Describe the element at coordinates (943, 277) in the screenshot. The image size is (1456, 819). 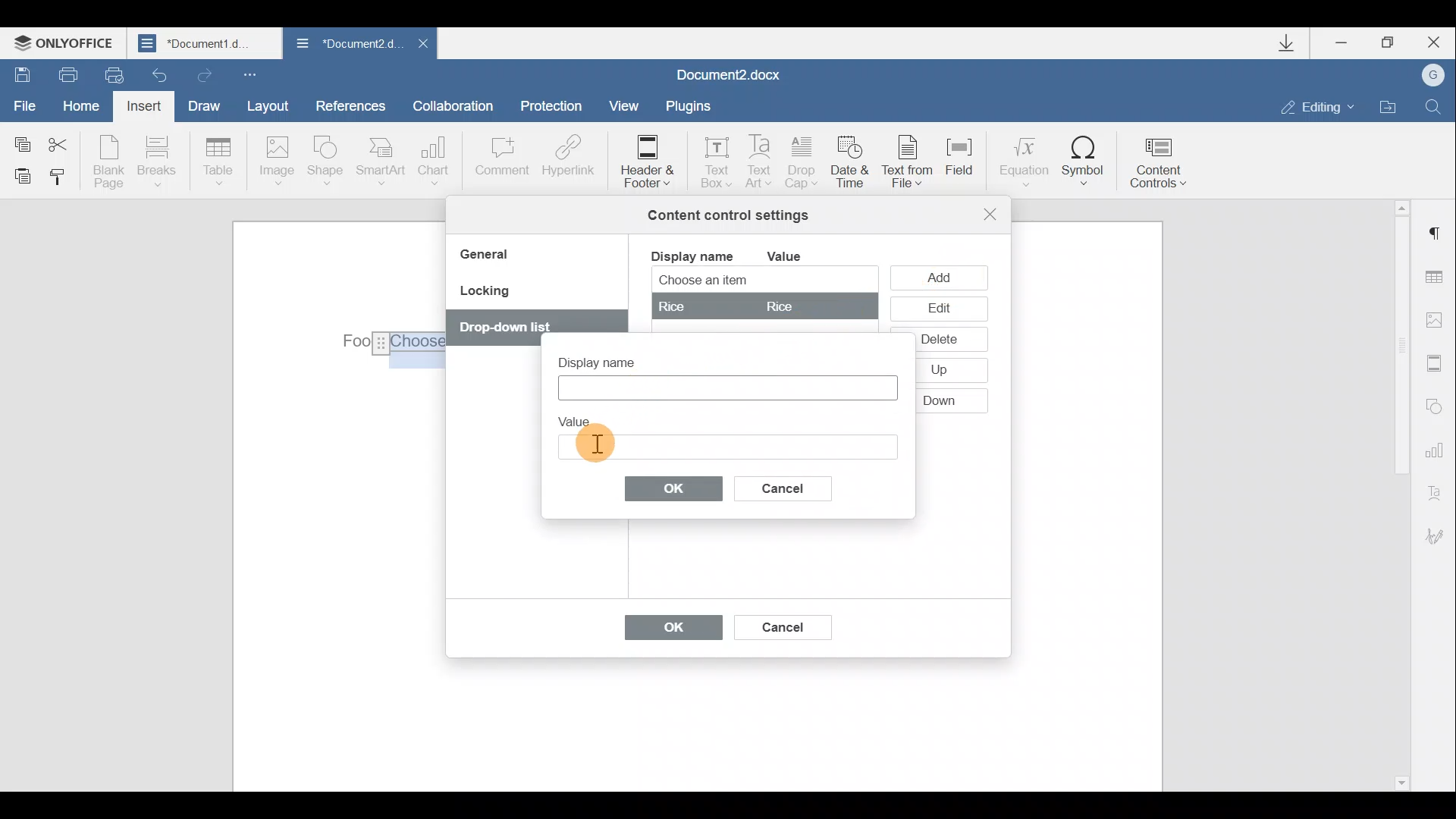
I see `Add` at that location.